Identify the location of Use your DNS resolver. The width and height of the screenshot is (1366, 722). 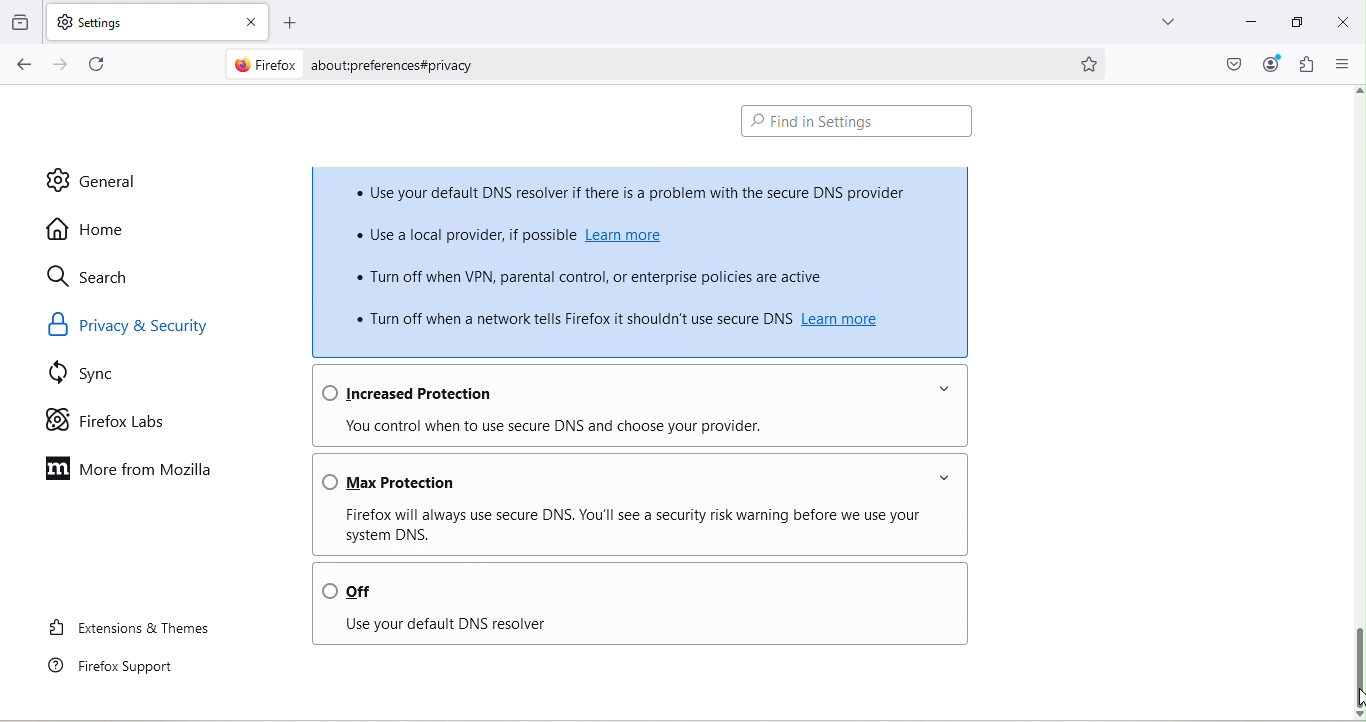
(629, 626).